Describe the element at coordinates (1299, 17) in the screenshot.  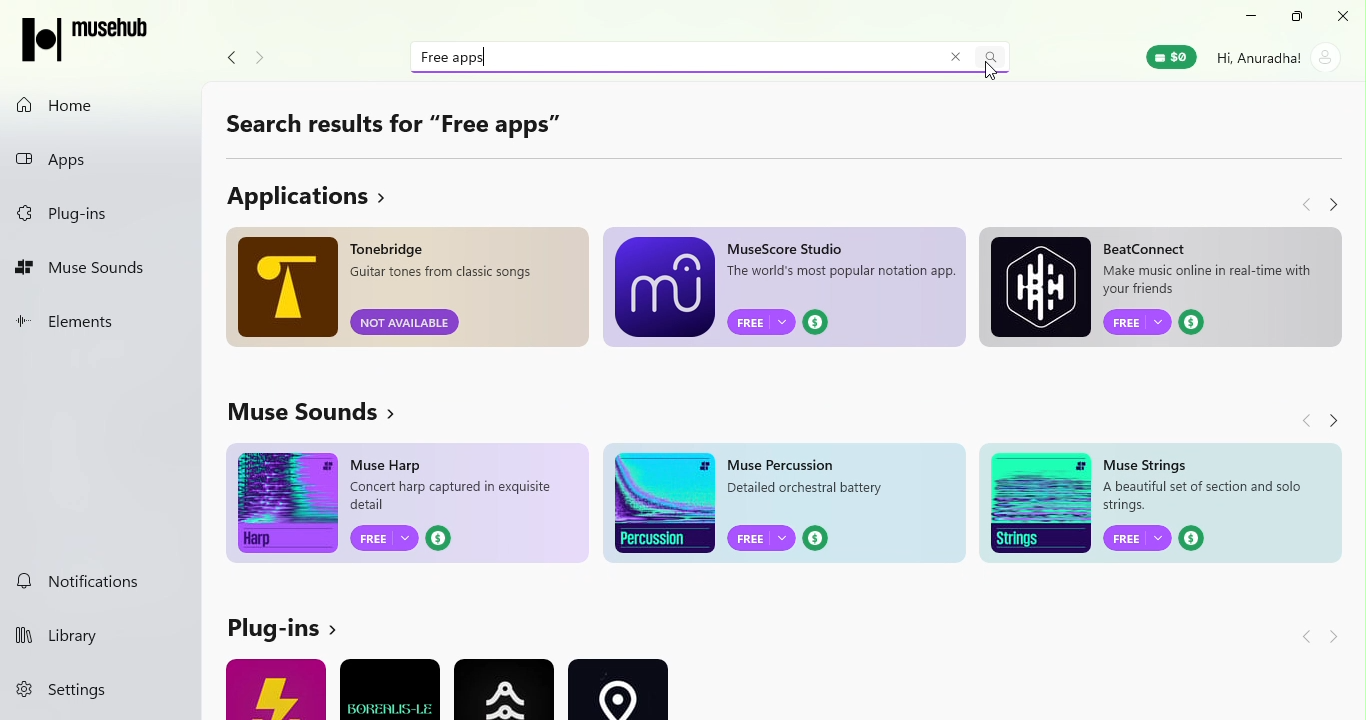
I see `Maximize` at that location.